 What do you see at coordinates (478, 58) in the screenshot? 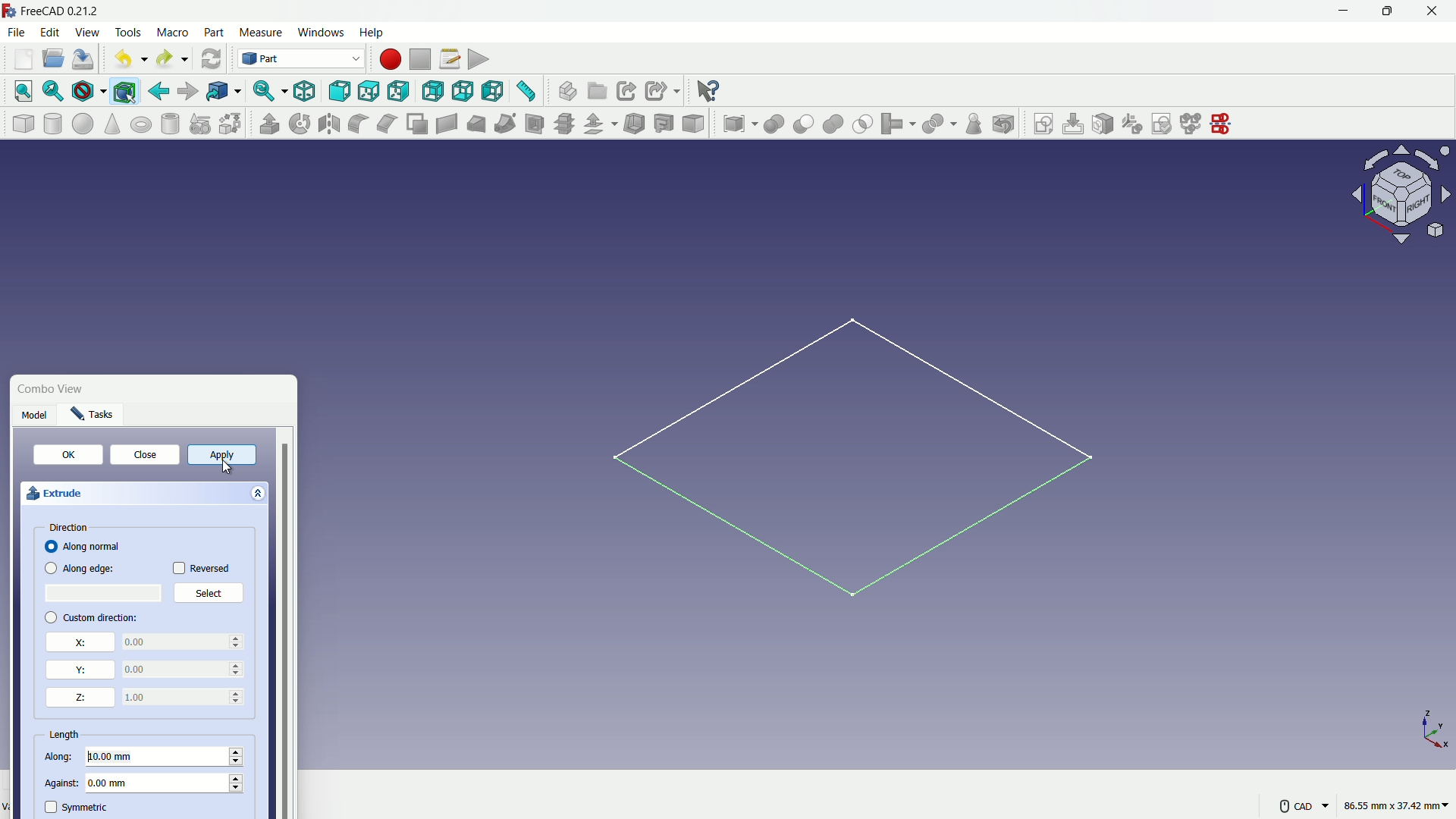
I see `execute macro` at bounding box center [478, 58].